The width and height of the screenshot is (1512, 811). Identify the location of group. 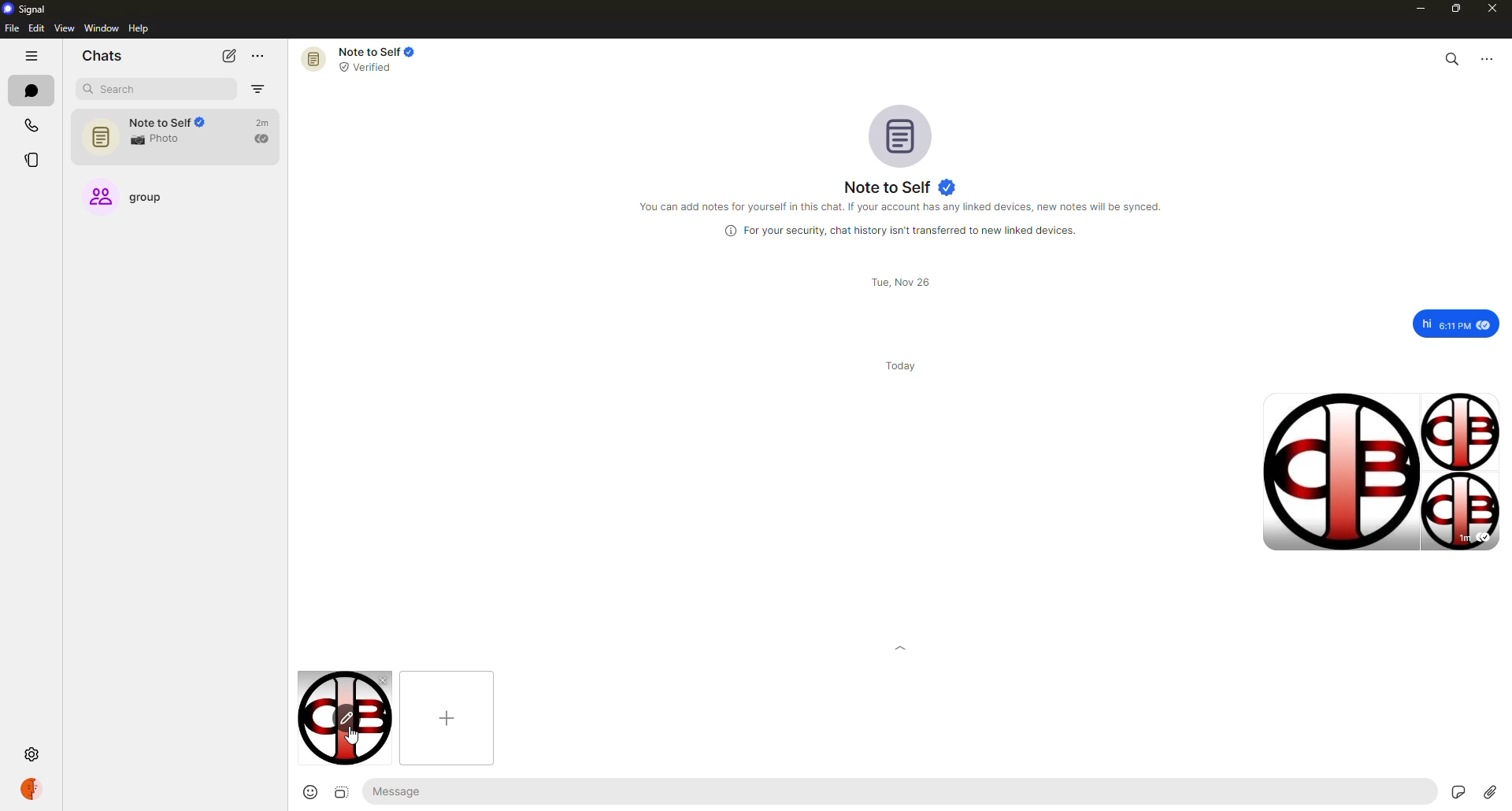
(139, 200).